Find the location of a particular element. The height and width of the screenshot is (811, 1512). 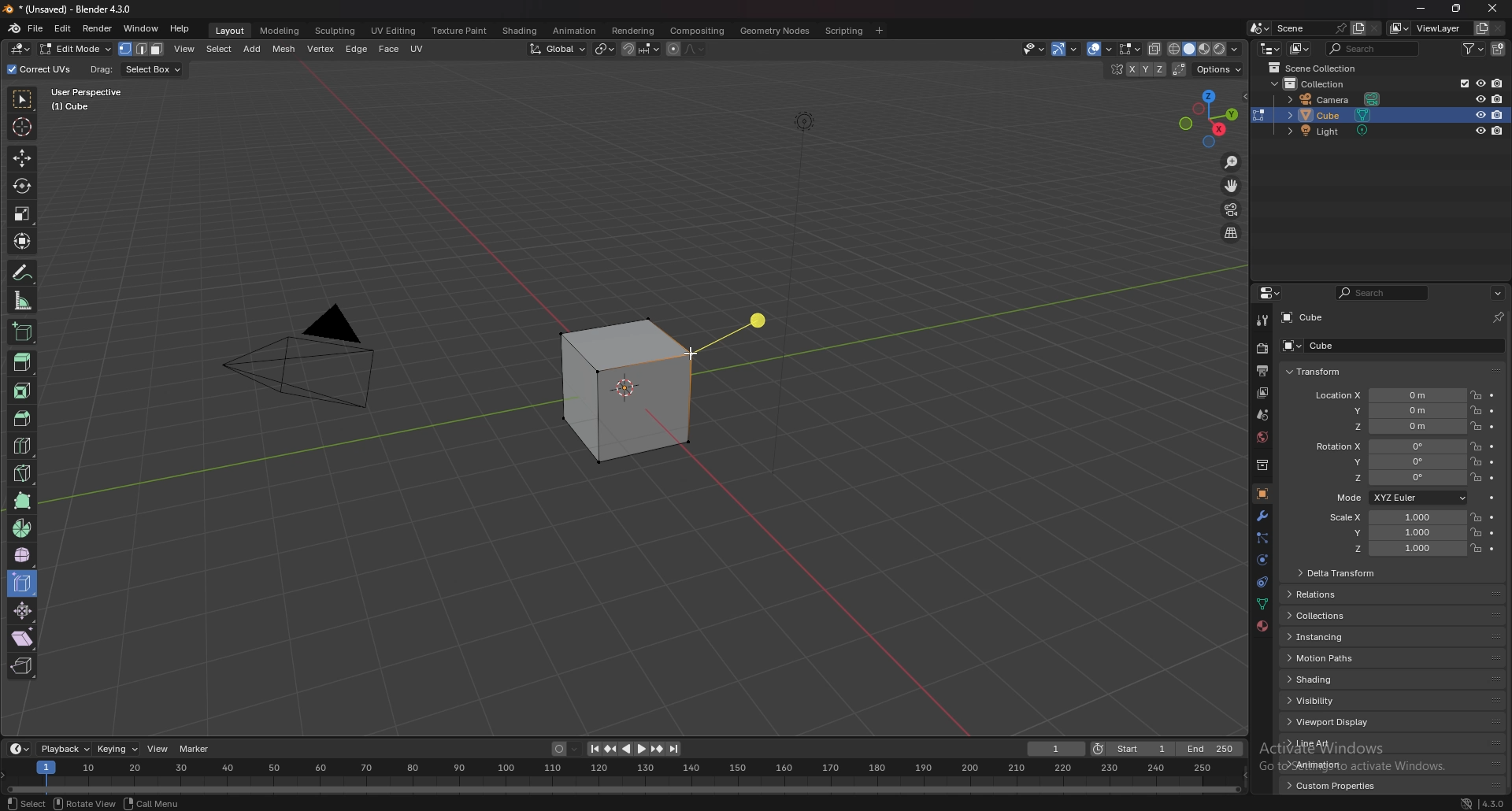

cube is located at coordinates (1303, 317).